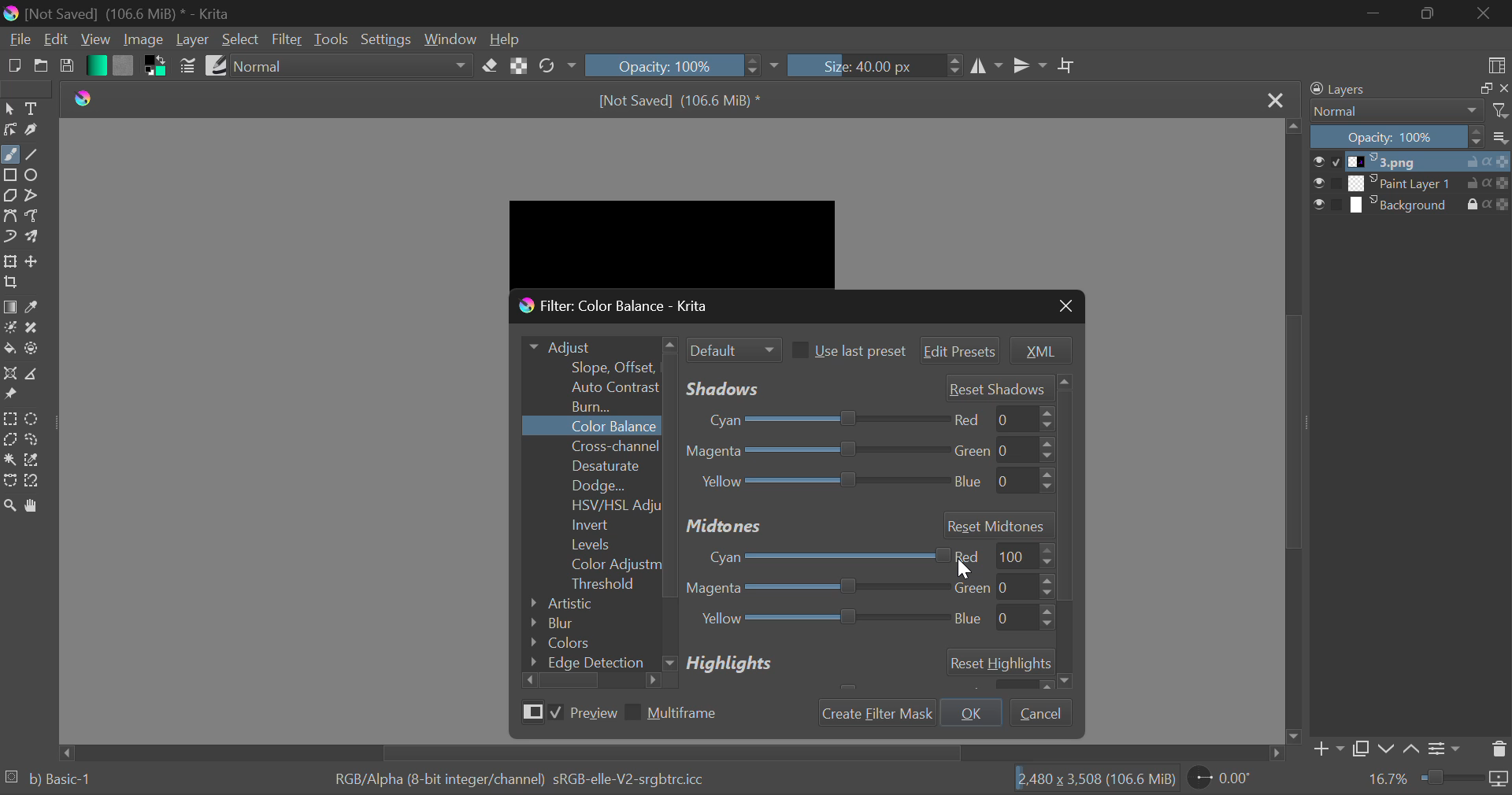 The width and height of the screenshot is (1512, 795). Describe the element at coordinates (1276, 98) in the screenshot. I see `Close` at that location.